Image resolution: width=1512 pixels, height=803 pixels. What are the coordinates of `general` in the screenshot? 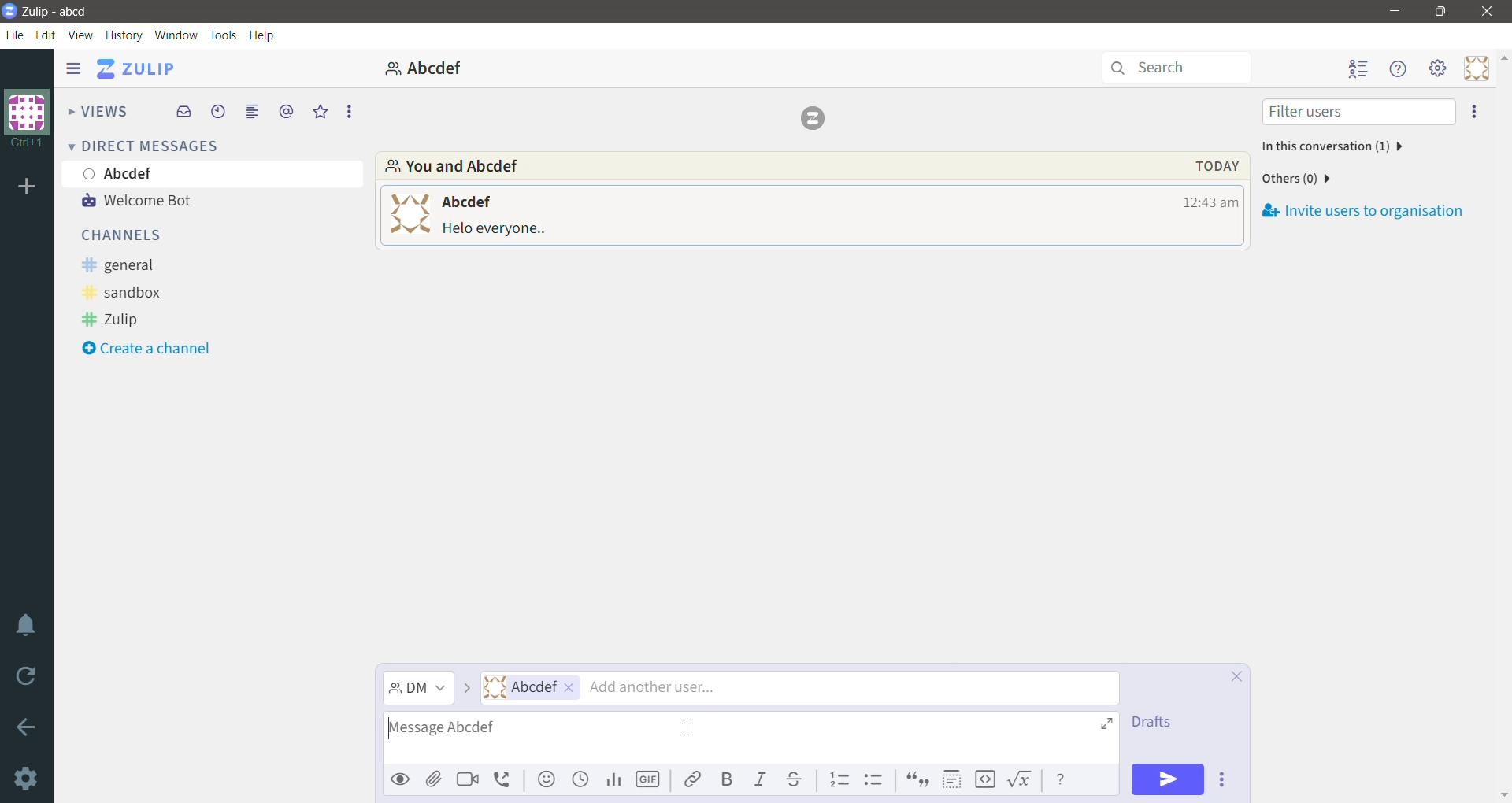 It's located at (130, 264).